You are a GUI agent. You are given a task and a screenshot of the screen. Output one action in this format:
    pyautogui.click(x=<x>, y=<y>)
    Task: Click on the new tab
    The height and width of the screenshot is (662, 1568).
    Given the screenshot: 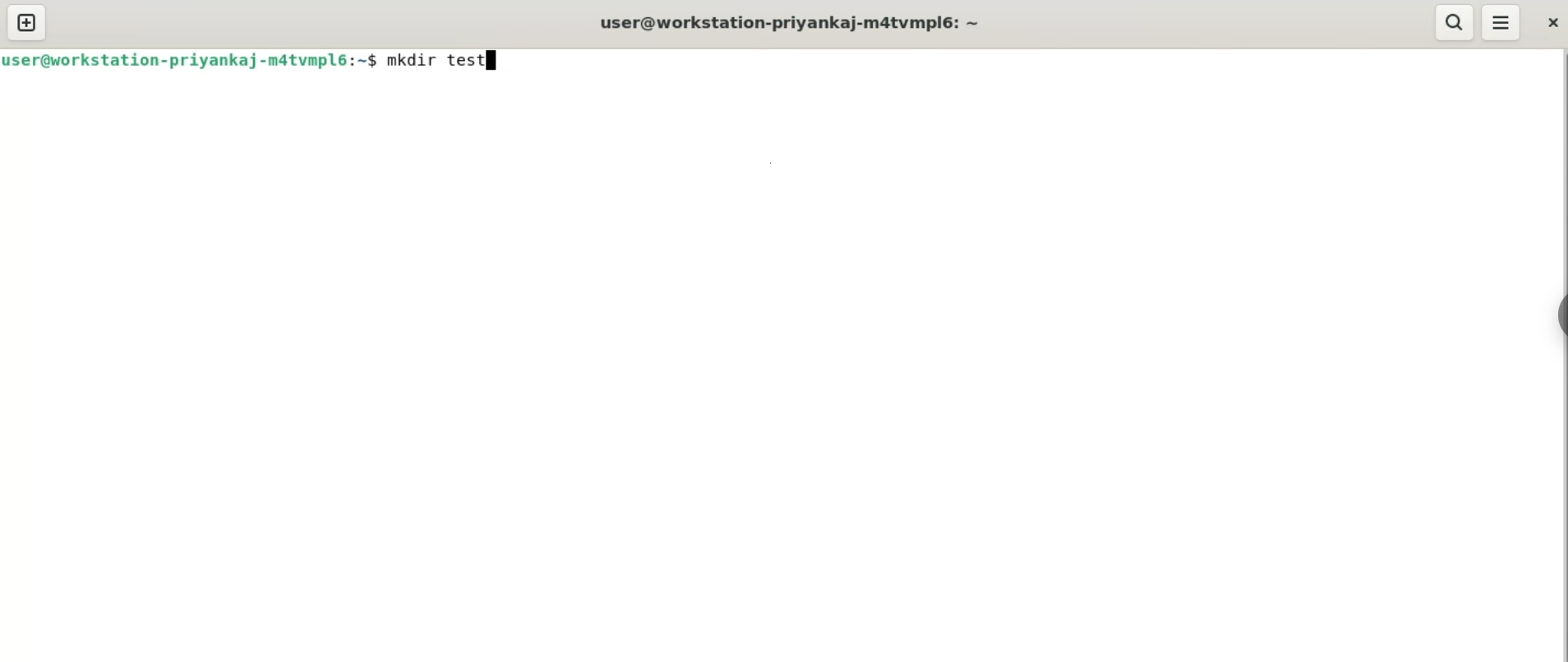 What is the action you would take?
    pyautogui.click(x=26, y=24)
    